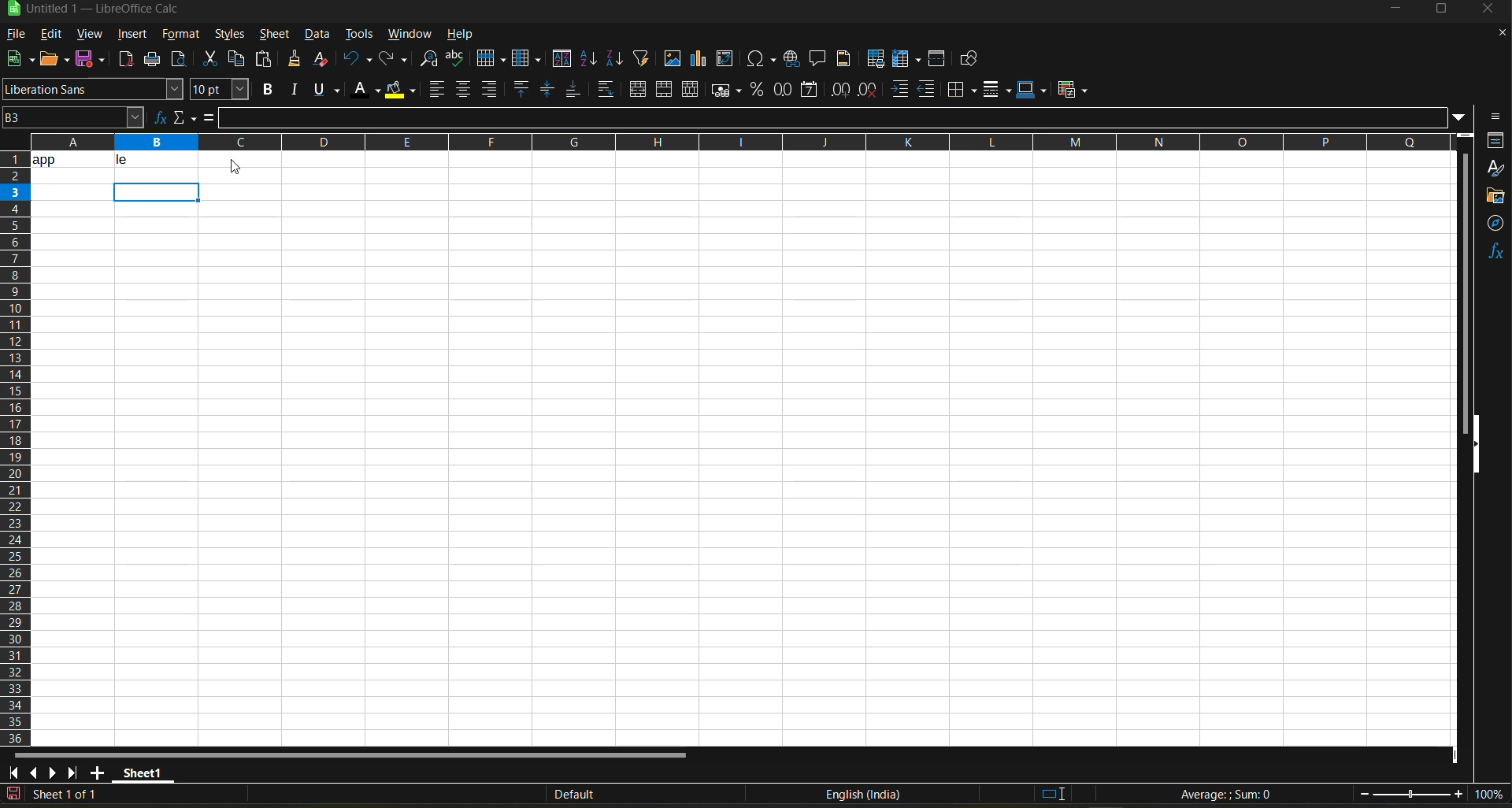 This screenshot has width=1512, height=808. I want to click on conditional, so click(1075, 89).